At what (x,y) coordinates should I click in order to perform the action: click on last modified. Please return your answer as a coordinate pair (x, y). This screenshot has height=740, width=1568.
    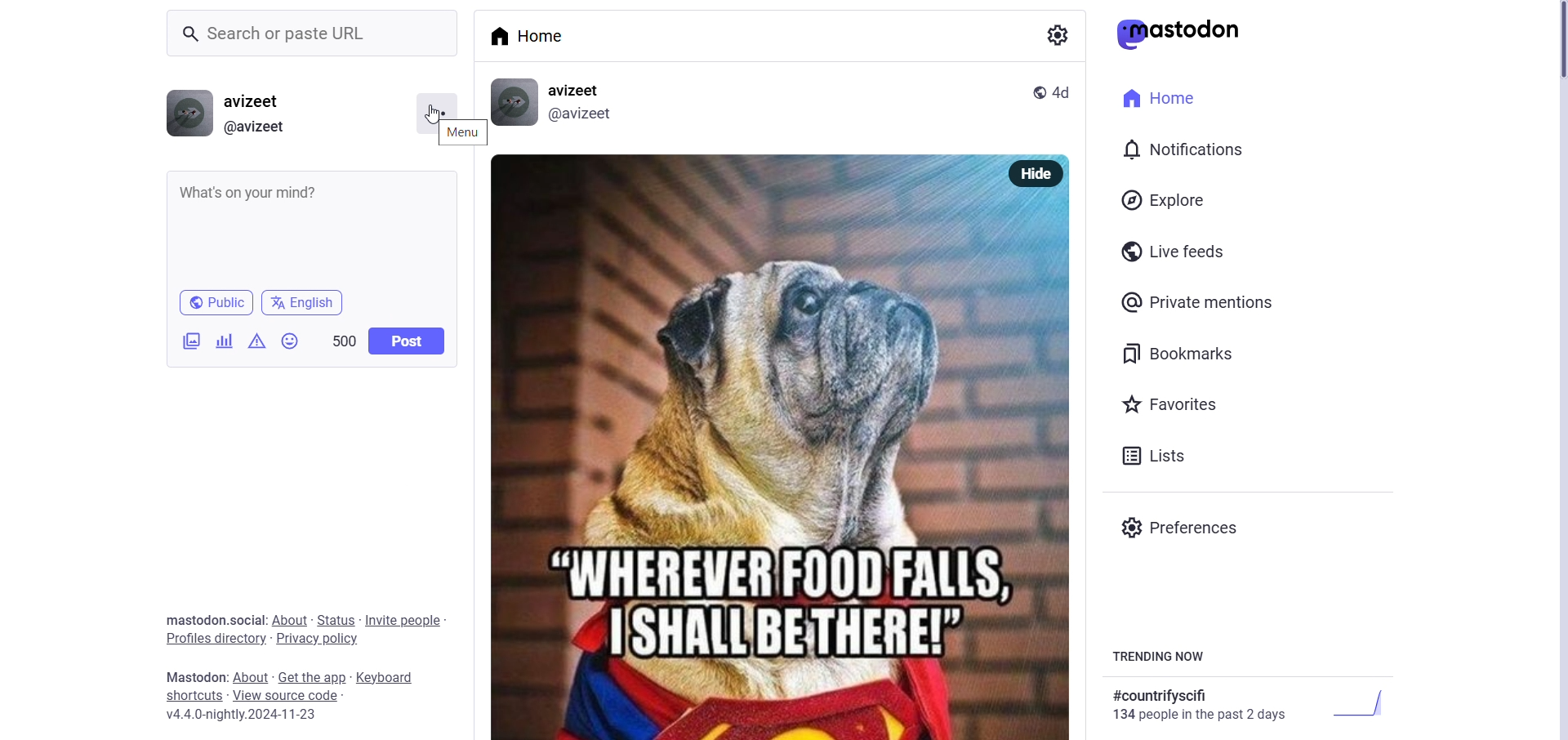
    Looking at the image, I should click on (1063, 92).